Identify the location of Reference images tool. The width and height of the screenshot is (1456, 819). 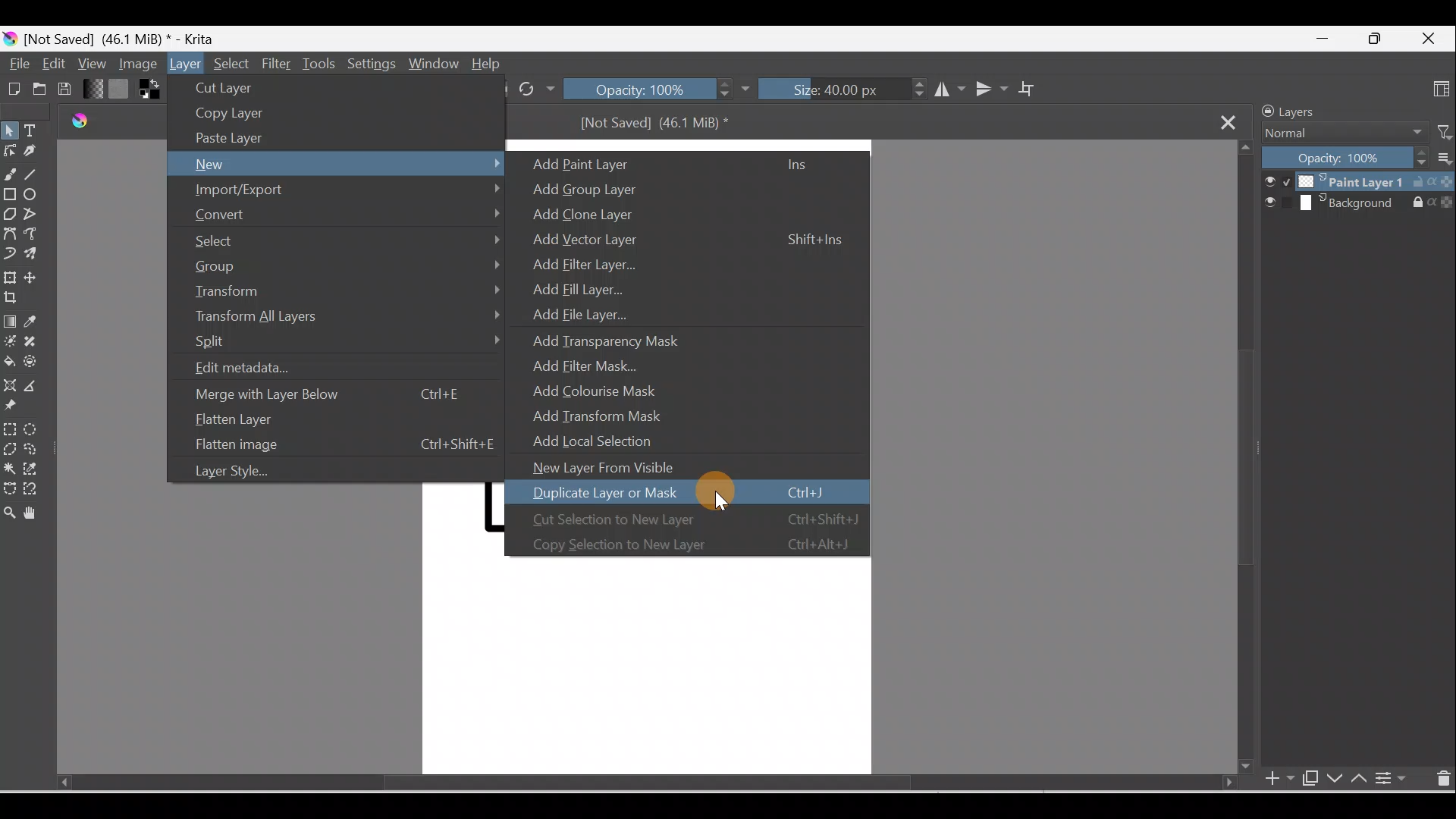
(14, 407).